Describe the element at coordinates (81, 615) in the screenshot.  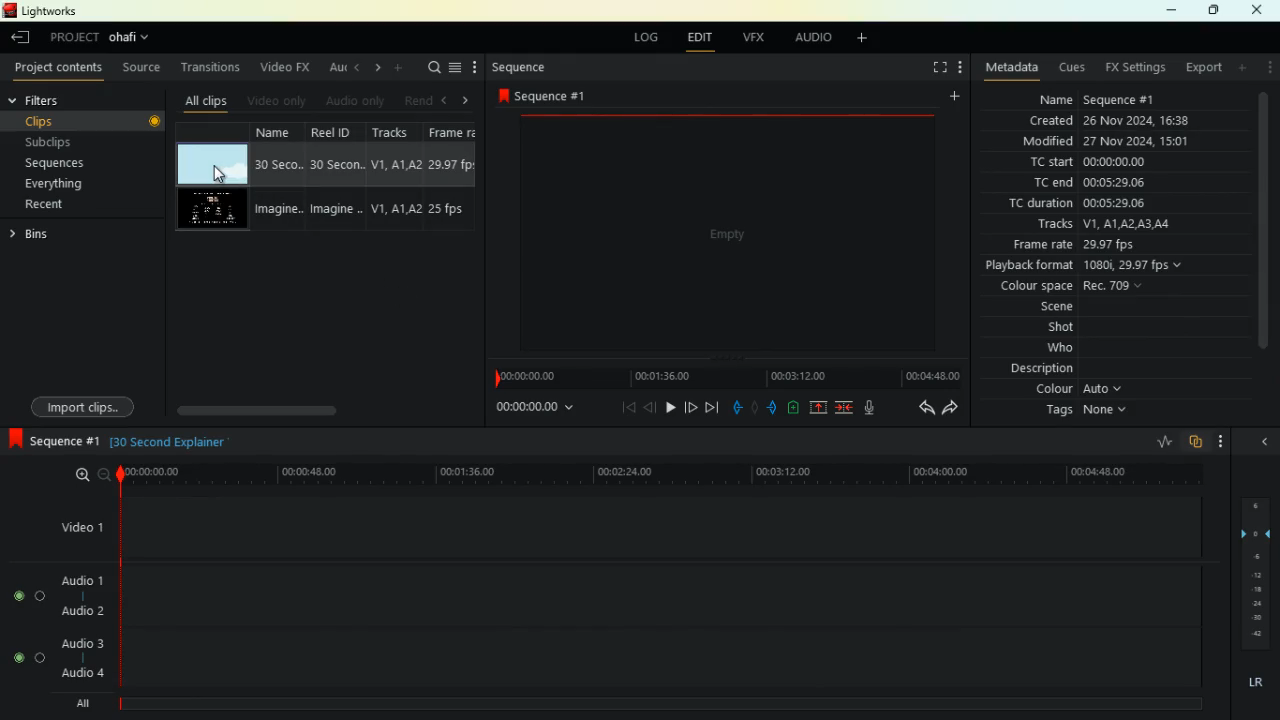
I see `audio 2` at that location.